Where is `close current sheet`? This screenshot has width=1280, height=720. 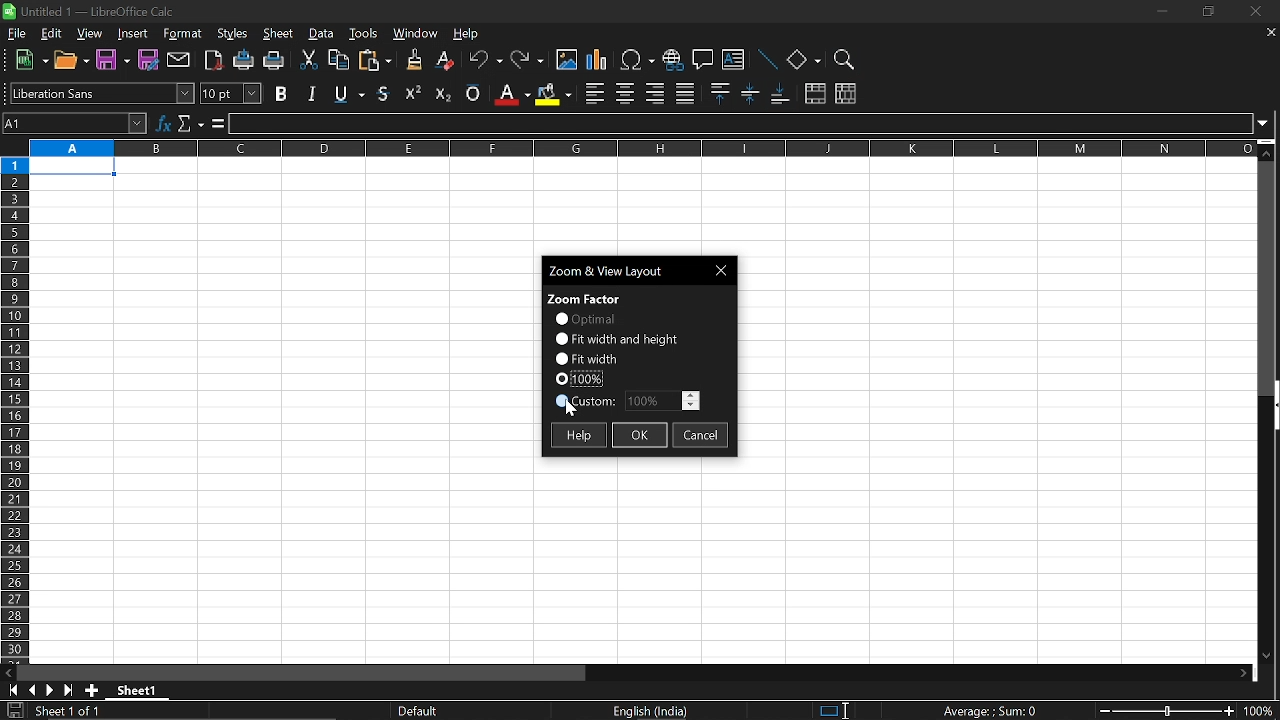
close current sheet is located at coordinates (1269, 34).